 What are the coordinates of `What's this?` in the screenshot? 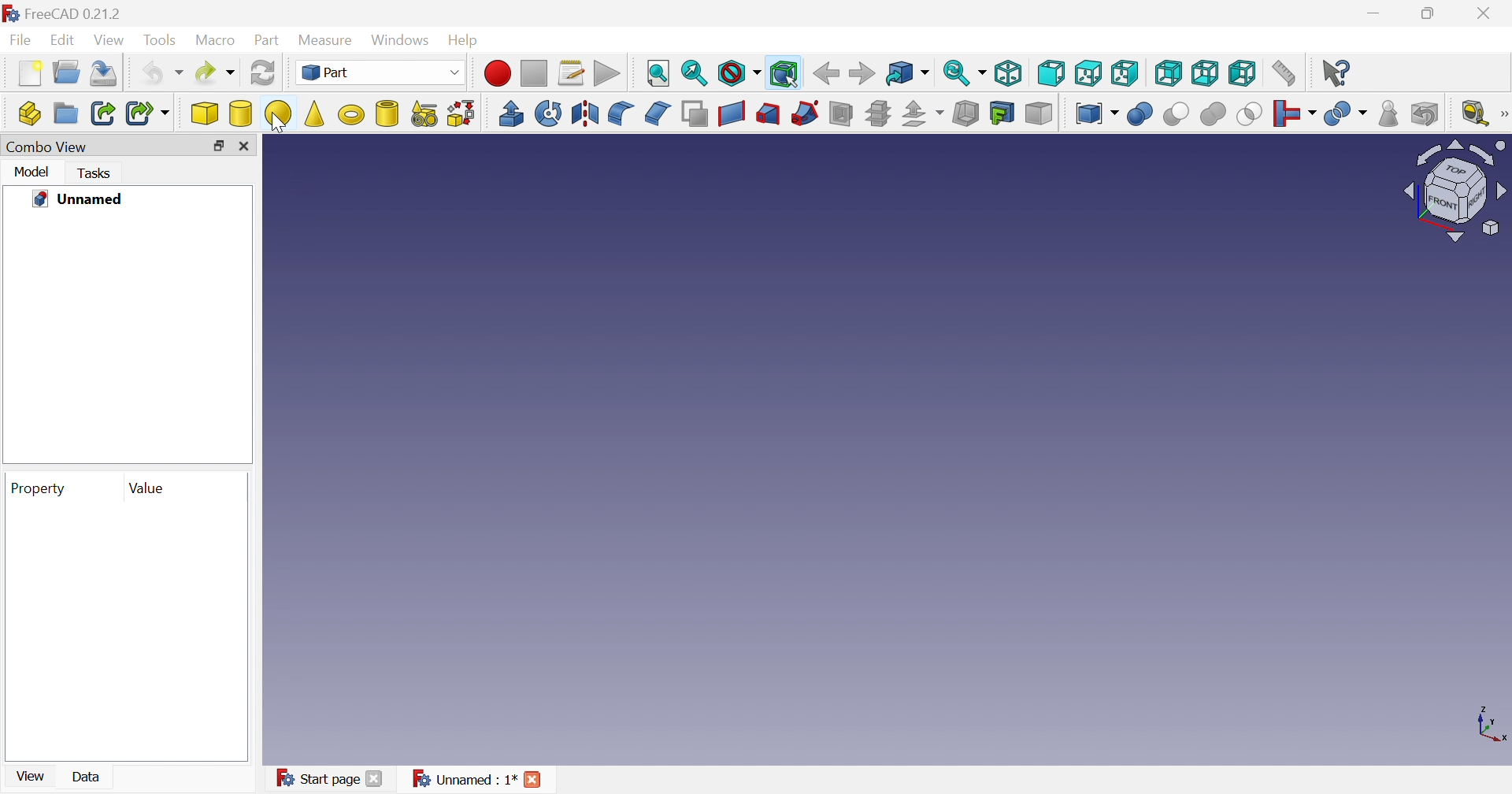 It's located at (1335, 72).